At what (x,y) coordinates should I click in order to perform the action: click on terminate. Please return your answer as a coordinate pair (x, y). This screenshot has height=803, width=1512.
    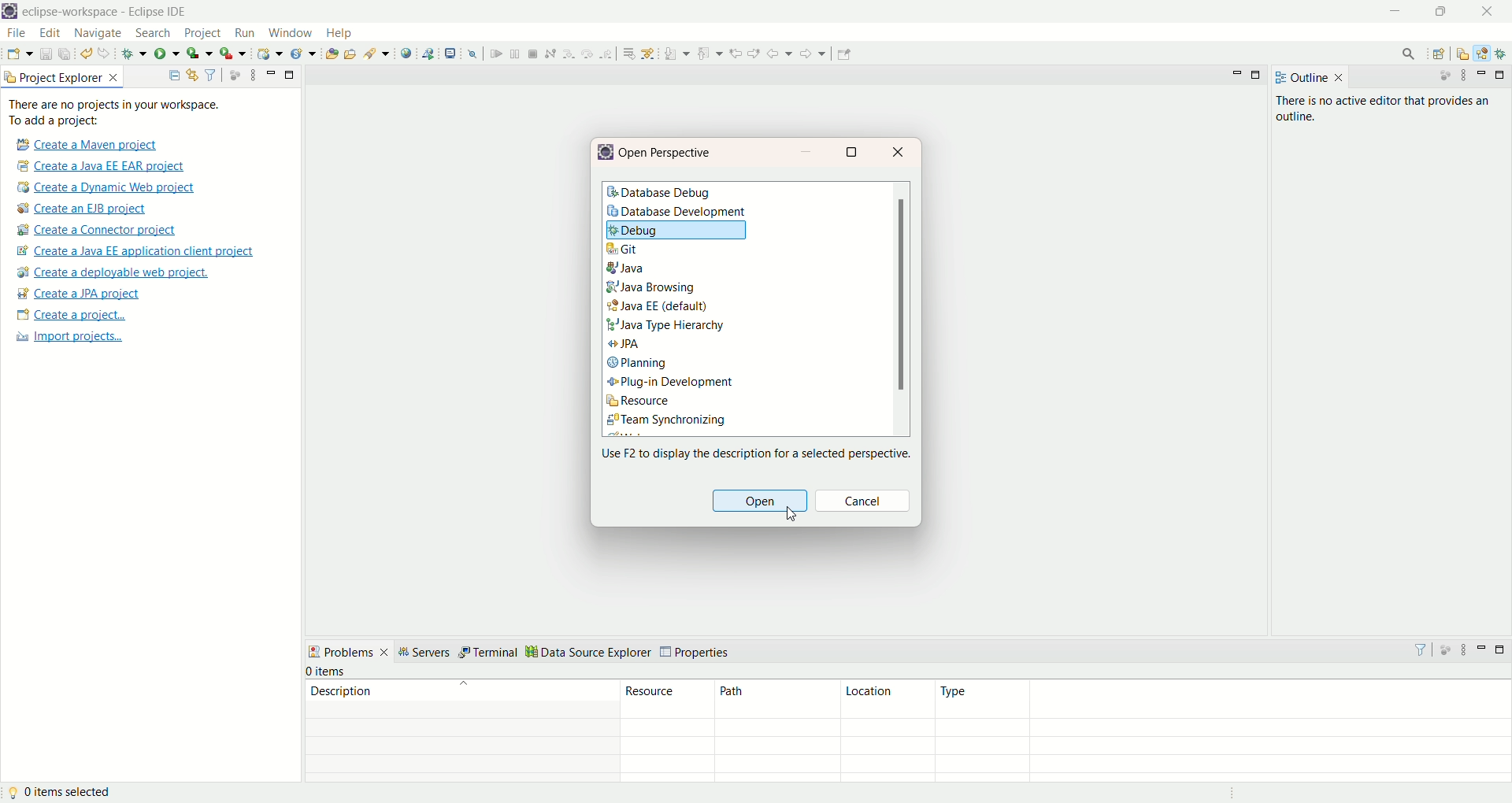
    Looking at the image, I should click on (533, 53).